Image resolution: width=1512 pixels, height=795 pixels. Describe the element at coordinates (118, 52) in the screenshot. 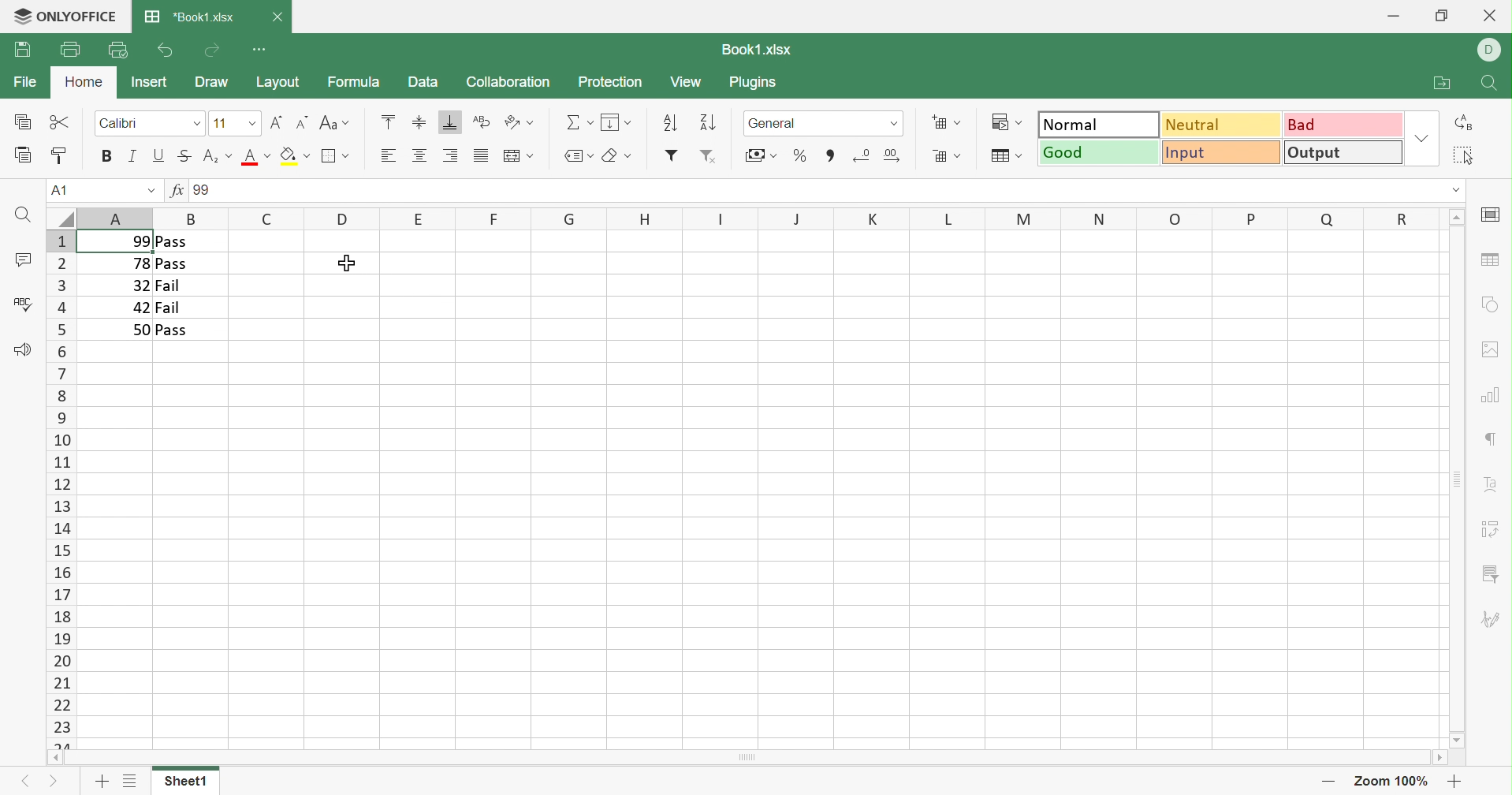

I see `Quick print` at that location.